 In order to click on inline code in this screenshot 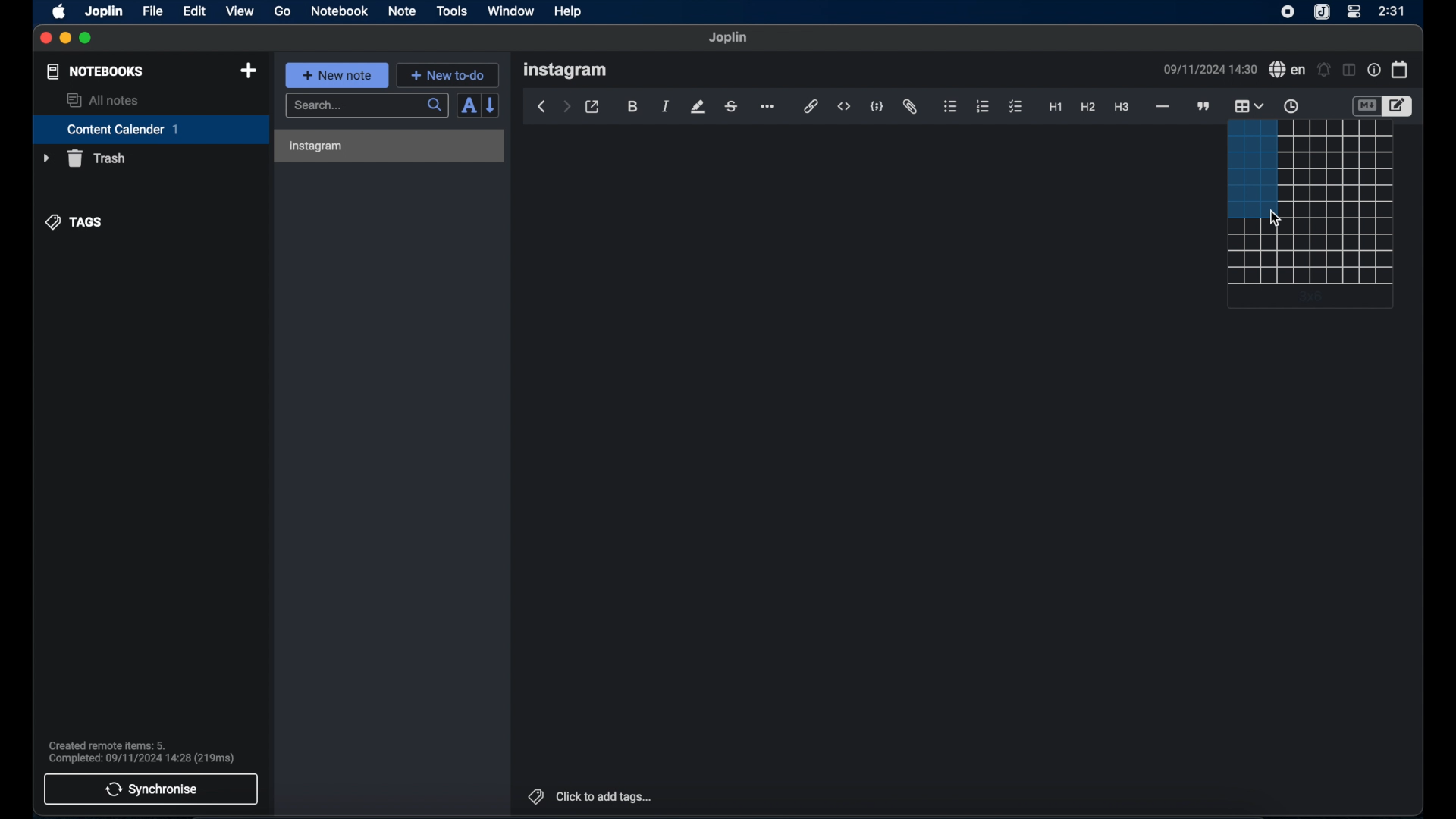, I will do `click(844, 107)`.